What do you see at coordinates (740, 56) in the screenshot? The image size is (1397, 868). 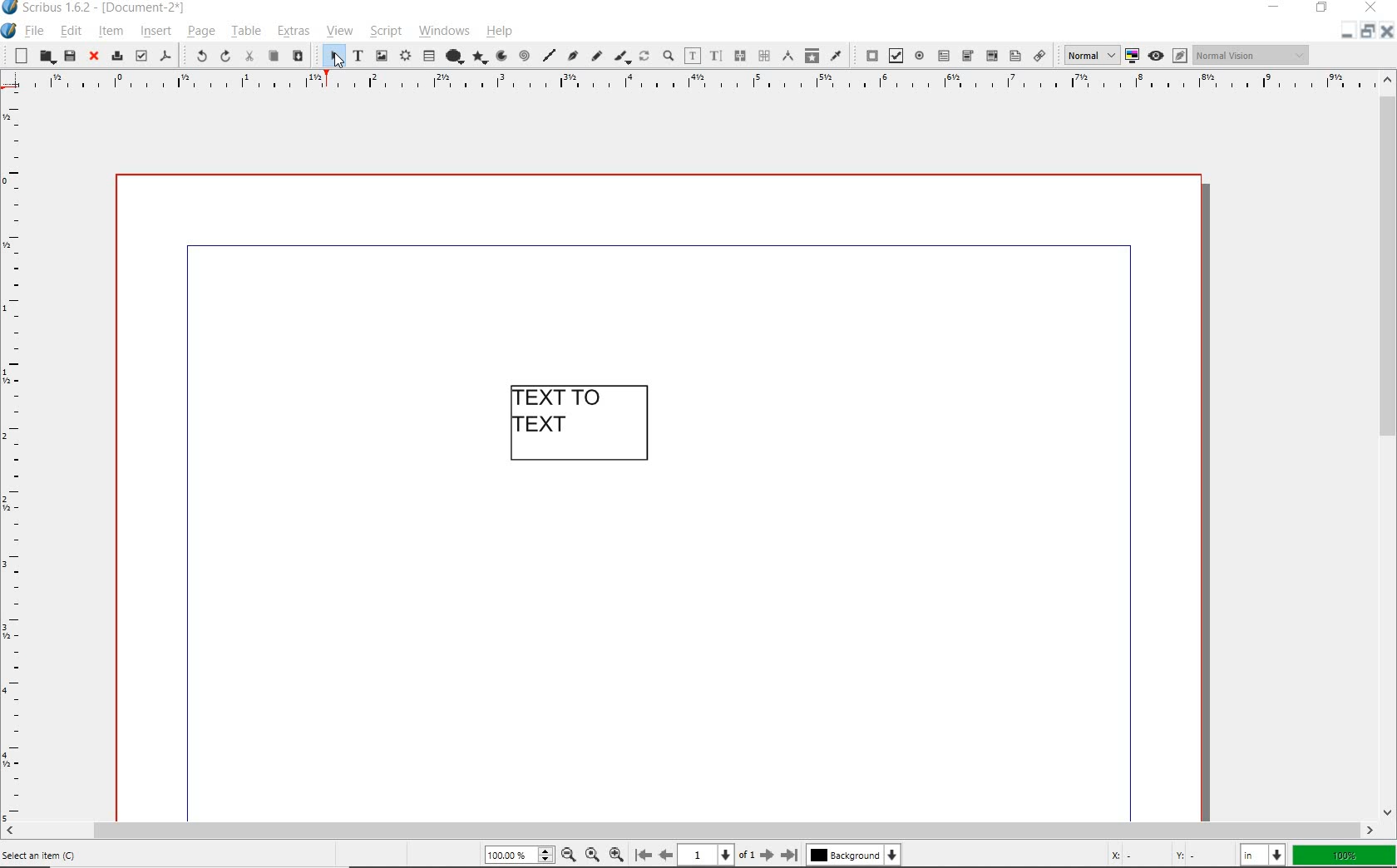 I see `link text frames` at bounding box center [740, 56].